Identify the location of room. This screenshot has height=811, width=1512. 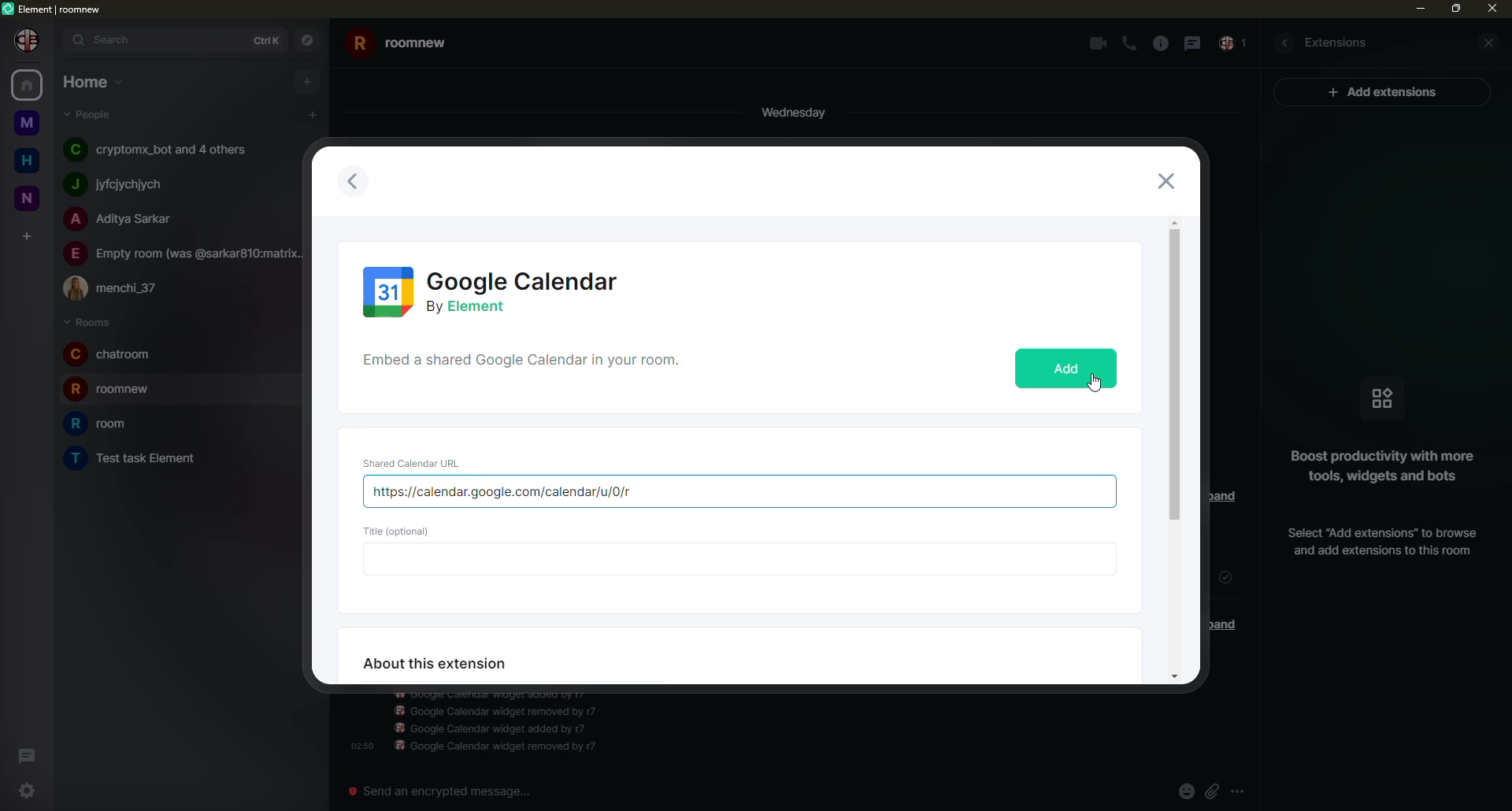
(400, 45).